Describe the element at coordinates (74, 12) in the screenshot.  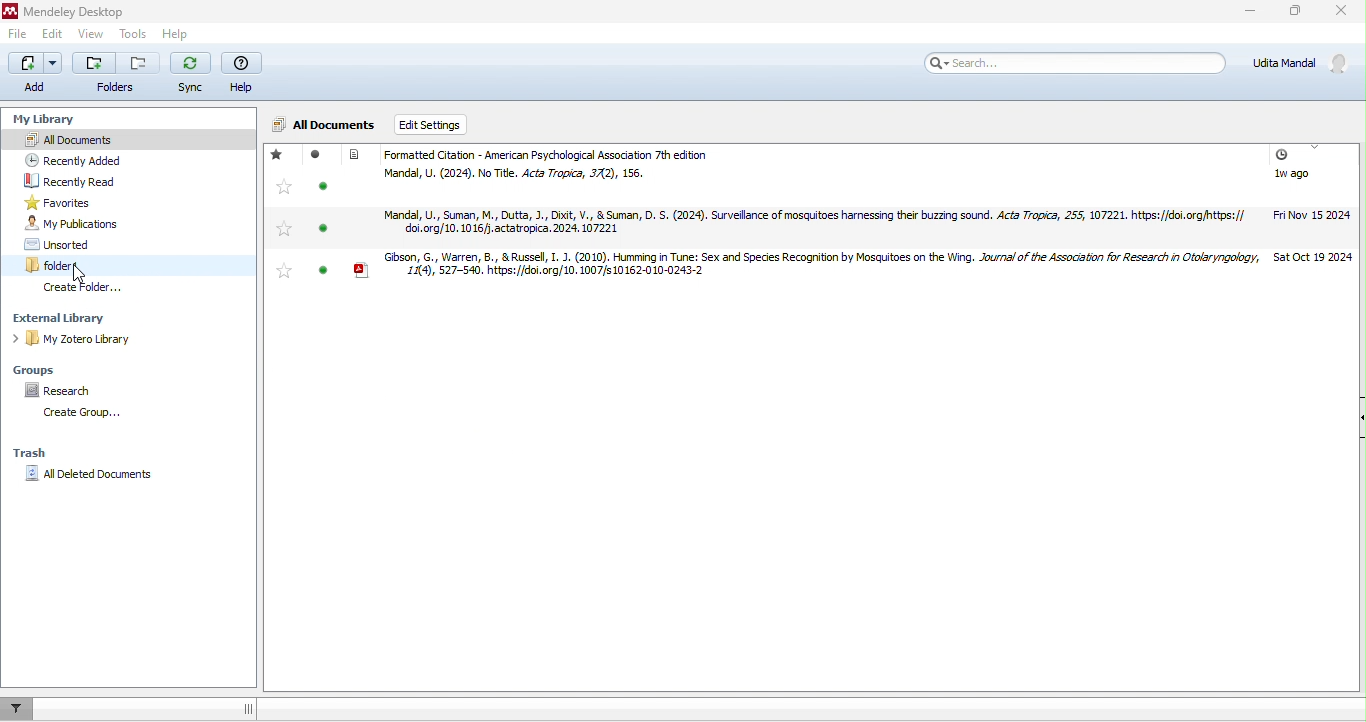
I see `Mendeley Desktop` at that location.